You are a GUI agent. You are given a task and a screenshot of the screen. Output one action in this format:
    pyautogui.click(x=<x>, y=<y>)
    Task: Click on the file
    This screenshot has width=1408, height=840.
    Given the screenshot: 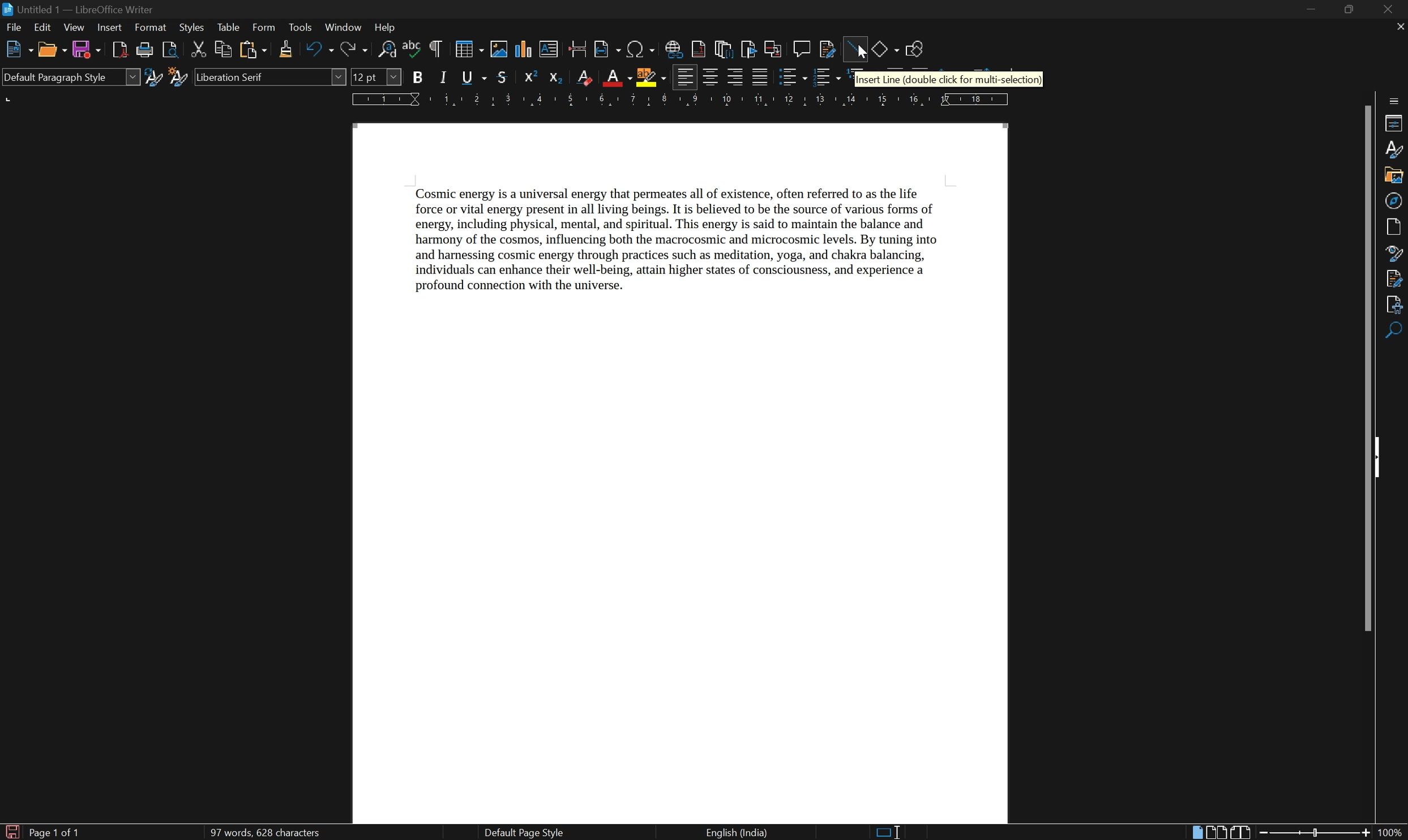 What is the action you would take?
    pyautogui.click(x=14, y=29)
    